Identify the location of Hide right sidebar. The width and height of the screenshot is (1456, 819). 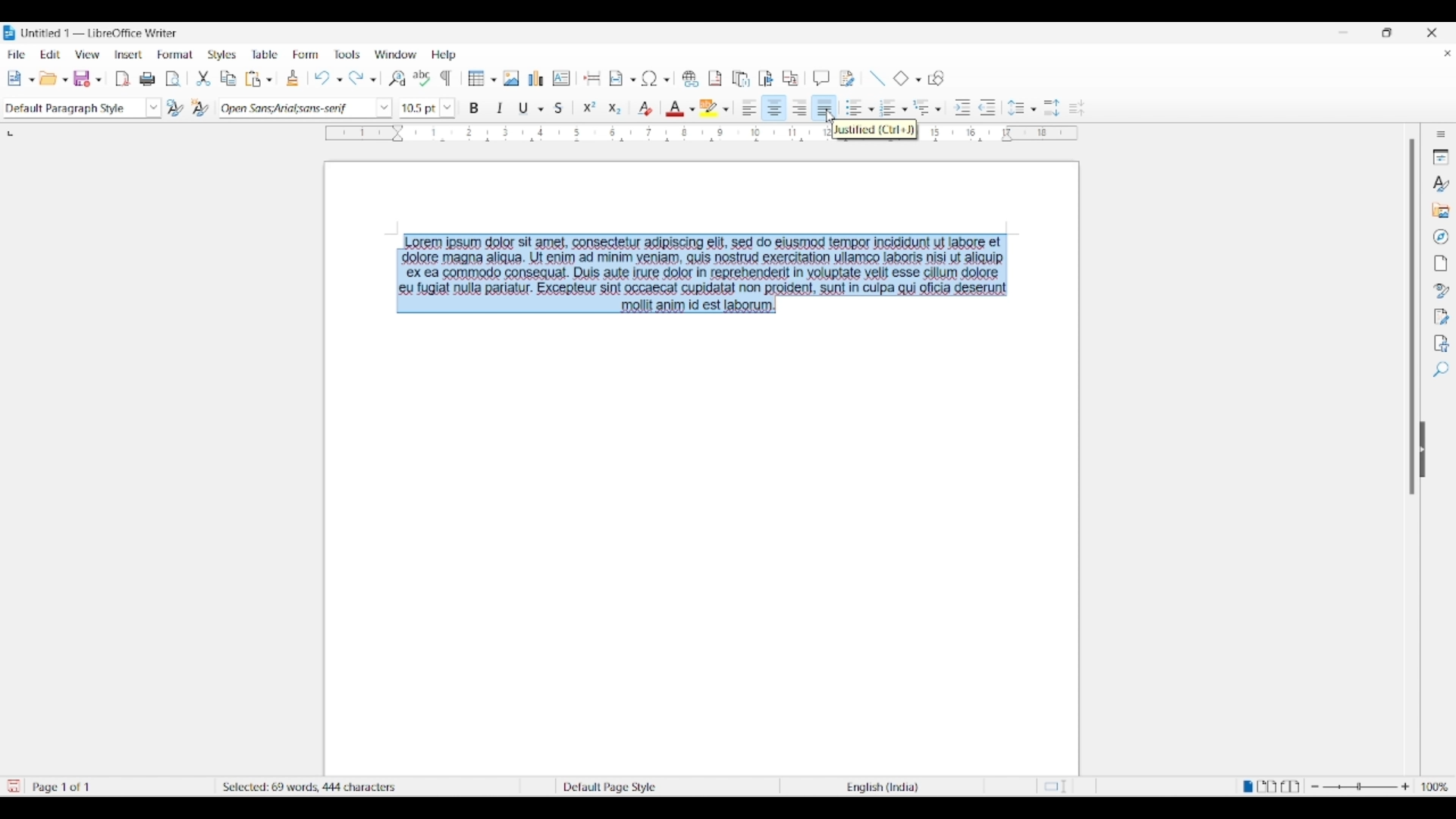
(1423, 450).